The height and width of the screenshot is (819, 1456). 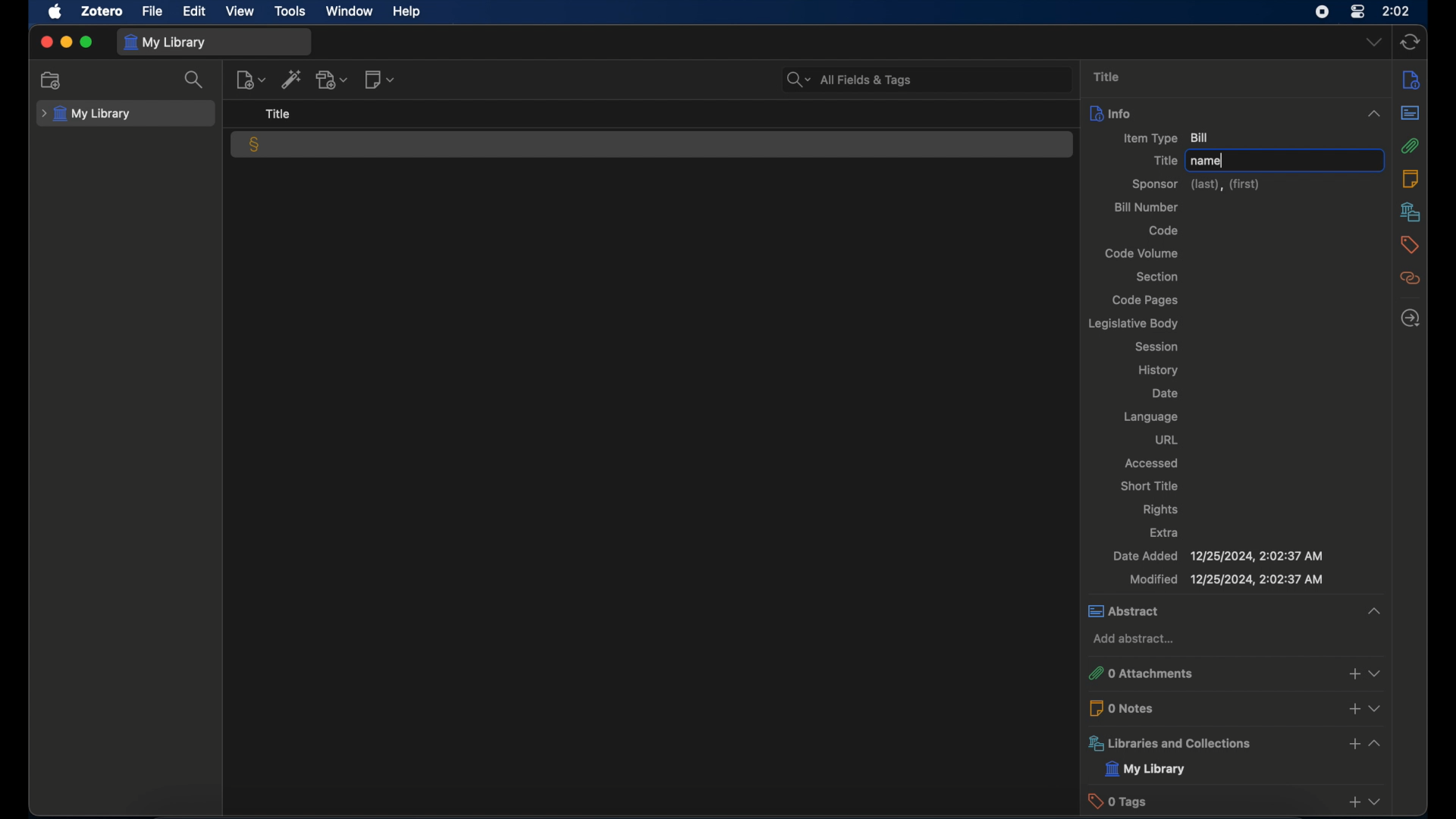 I want to click on abstract, so click(x=1234, y=610).